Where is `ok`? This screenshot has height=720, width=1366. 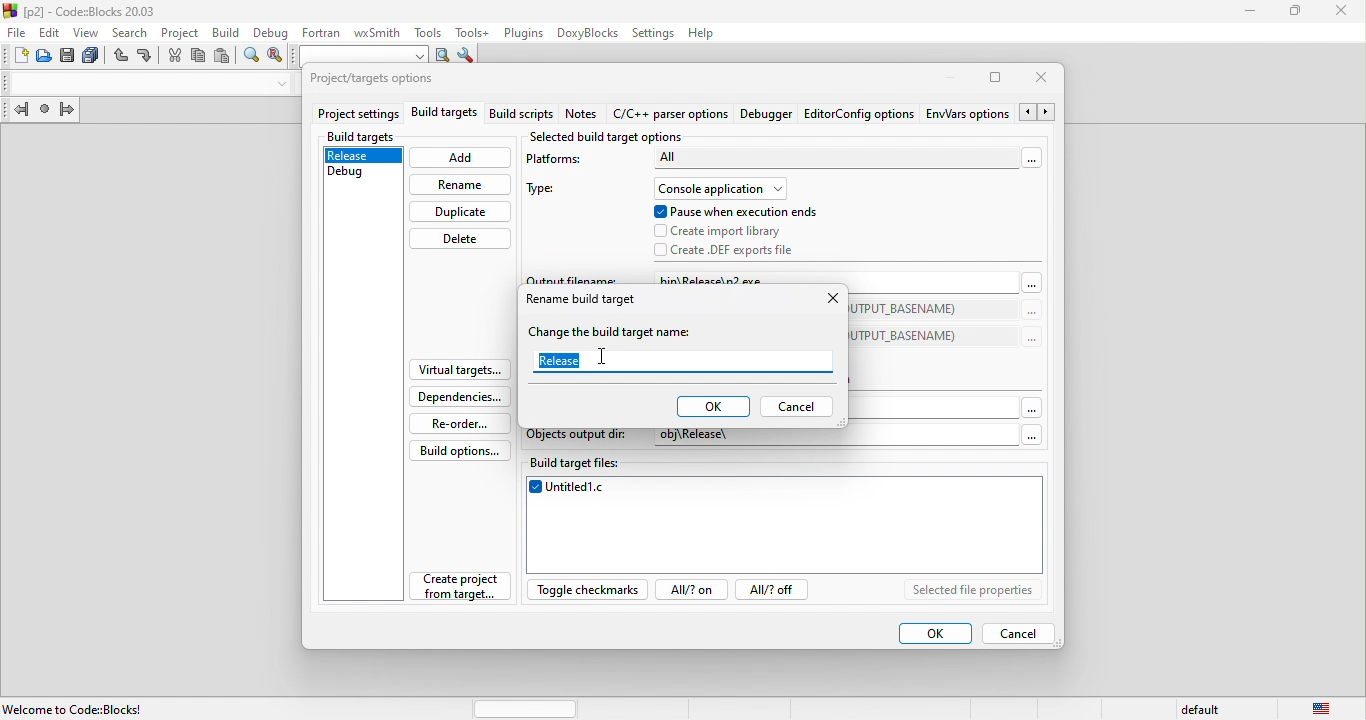 ok is located at coordinates (712, 407).